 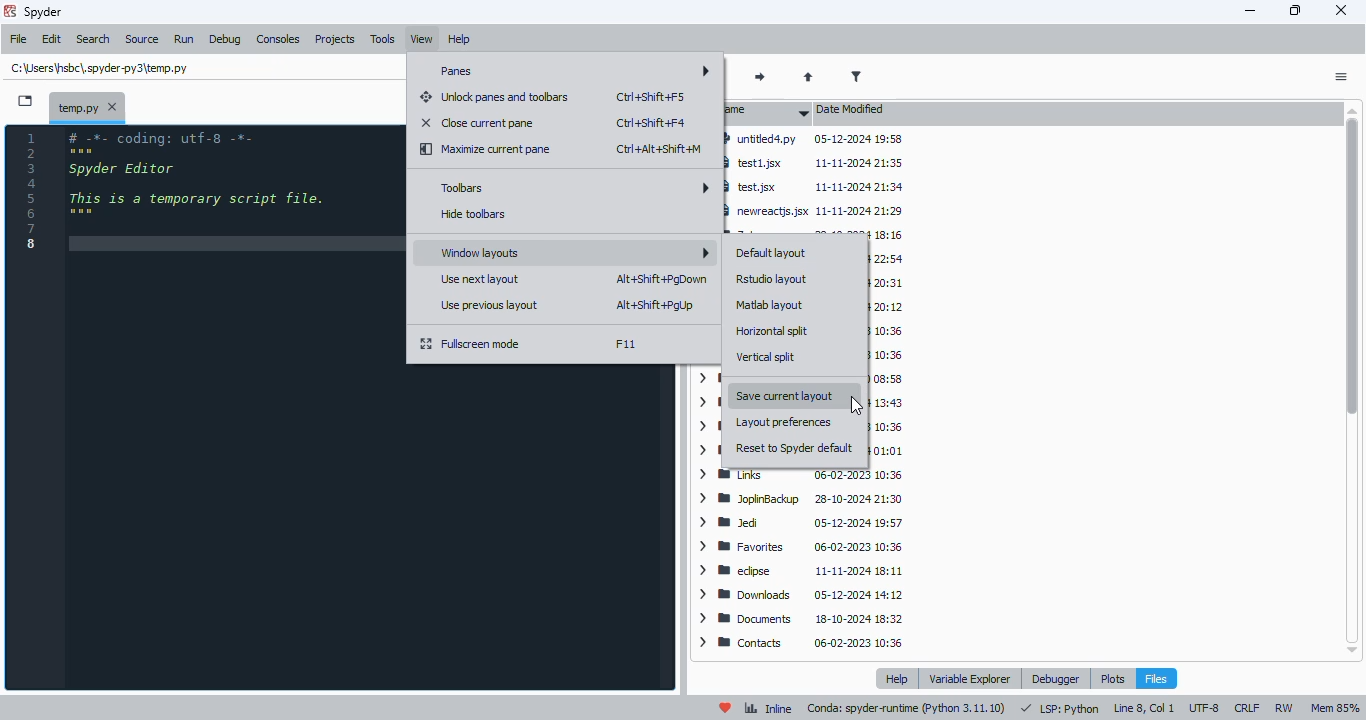 I want to click on close, so click(x=1342, y=9).